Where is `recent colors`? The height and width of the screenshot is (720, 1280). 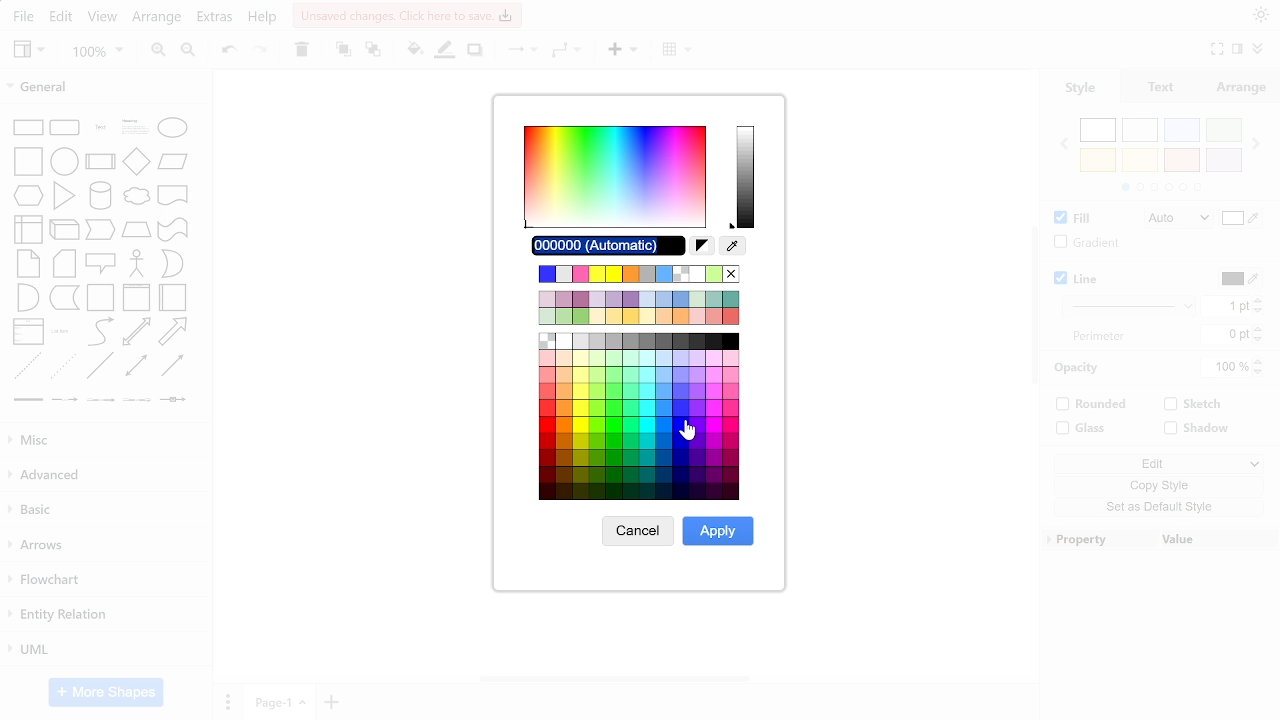 recent colors is located at coordinates (642, 274).